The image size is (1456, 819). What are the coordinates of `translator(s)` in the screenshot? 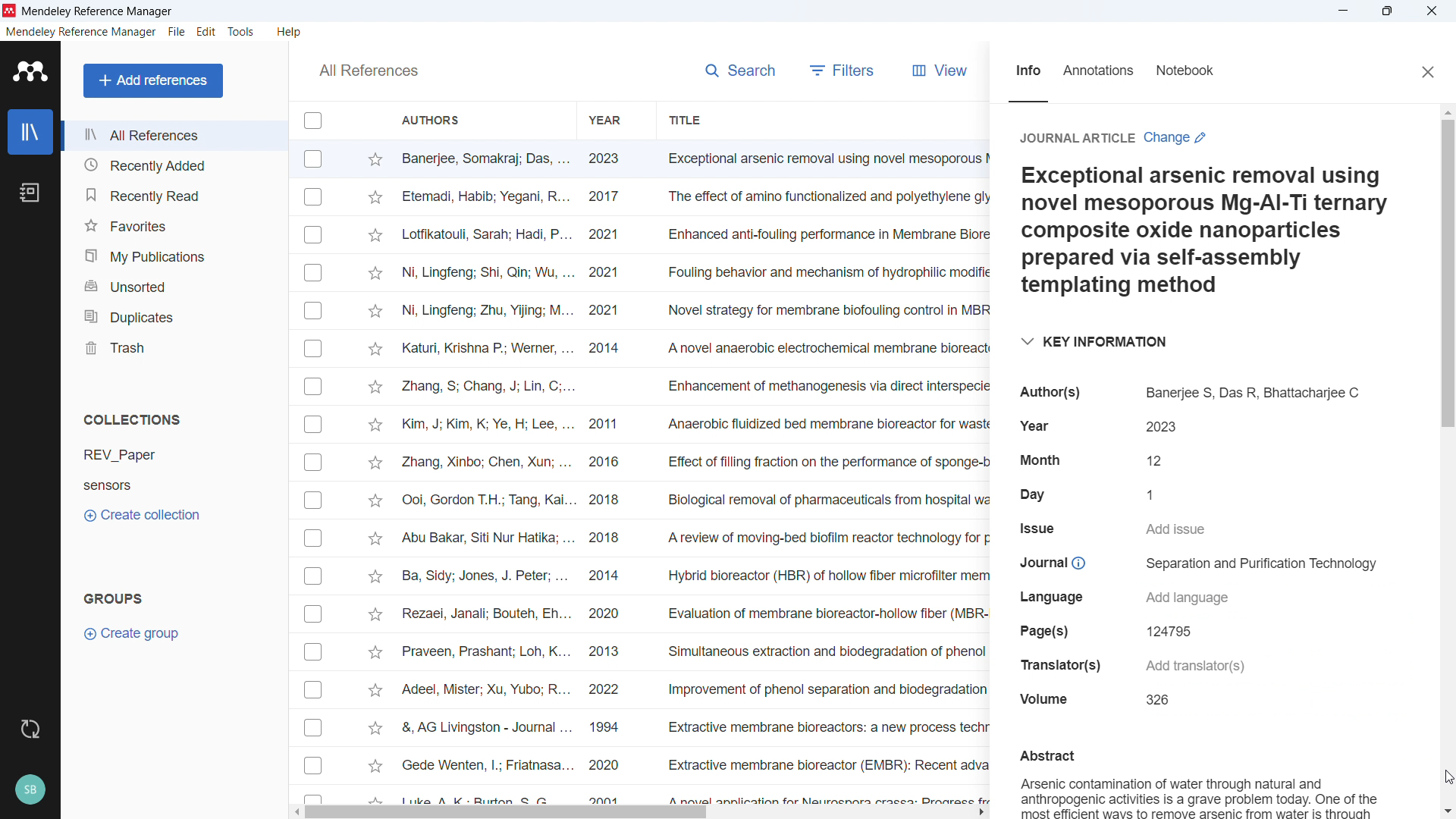 It's located at (1058, 667).